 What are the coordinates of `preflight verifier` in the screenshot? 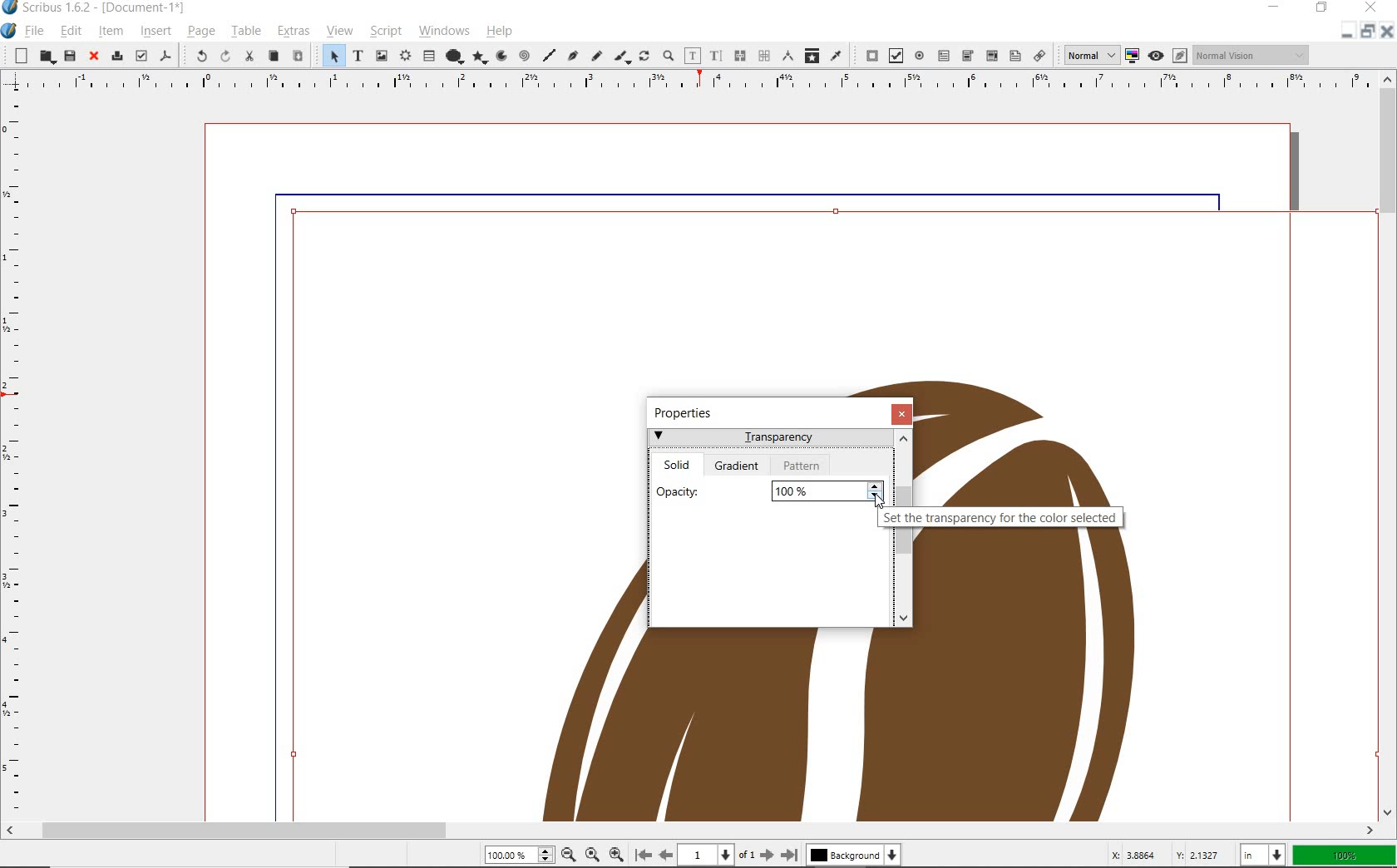 It's located at (141, 57).